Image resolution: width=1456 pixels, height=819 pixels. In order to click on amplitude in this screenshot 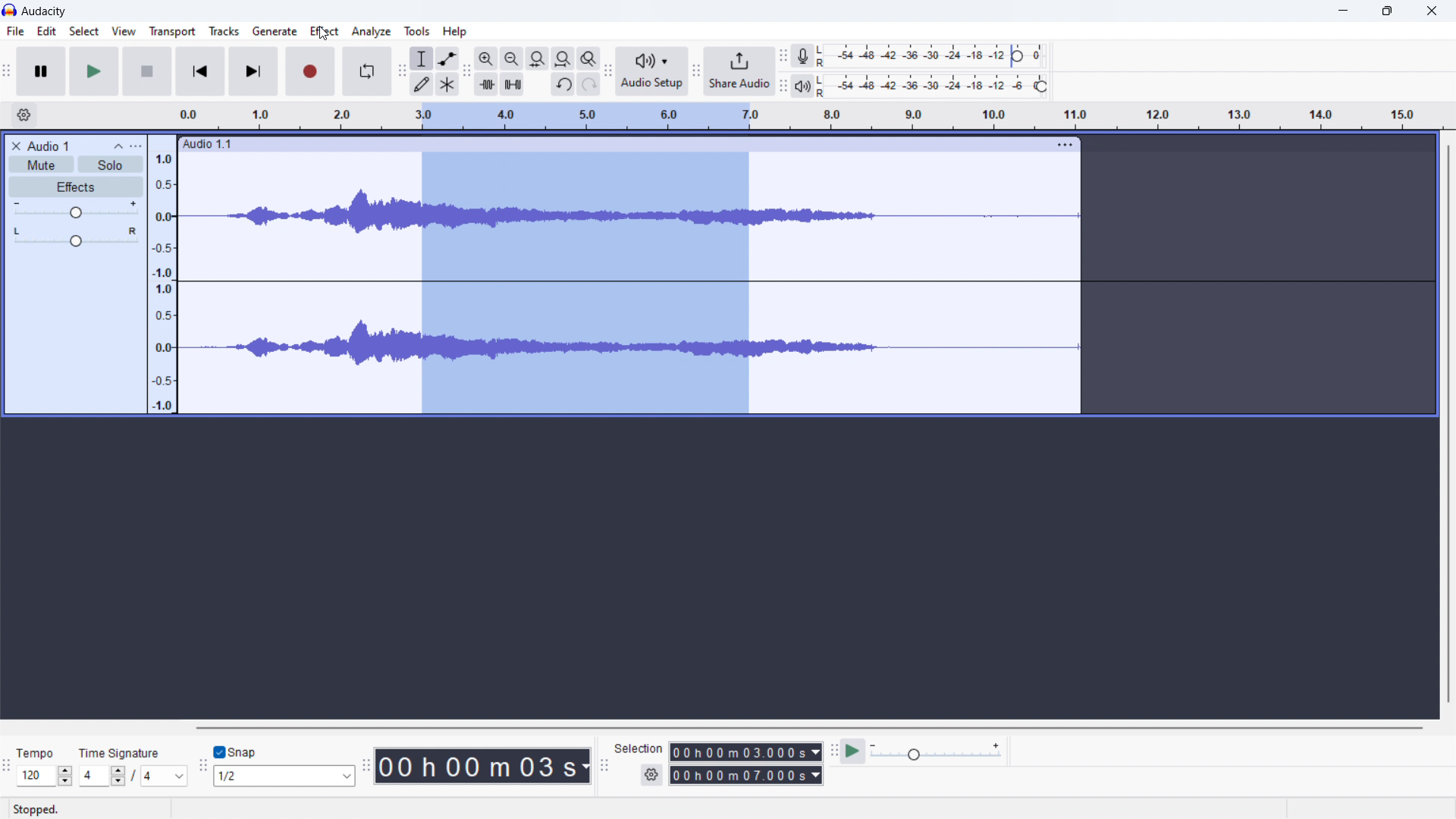, I will do `click(164, 283)`.